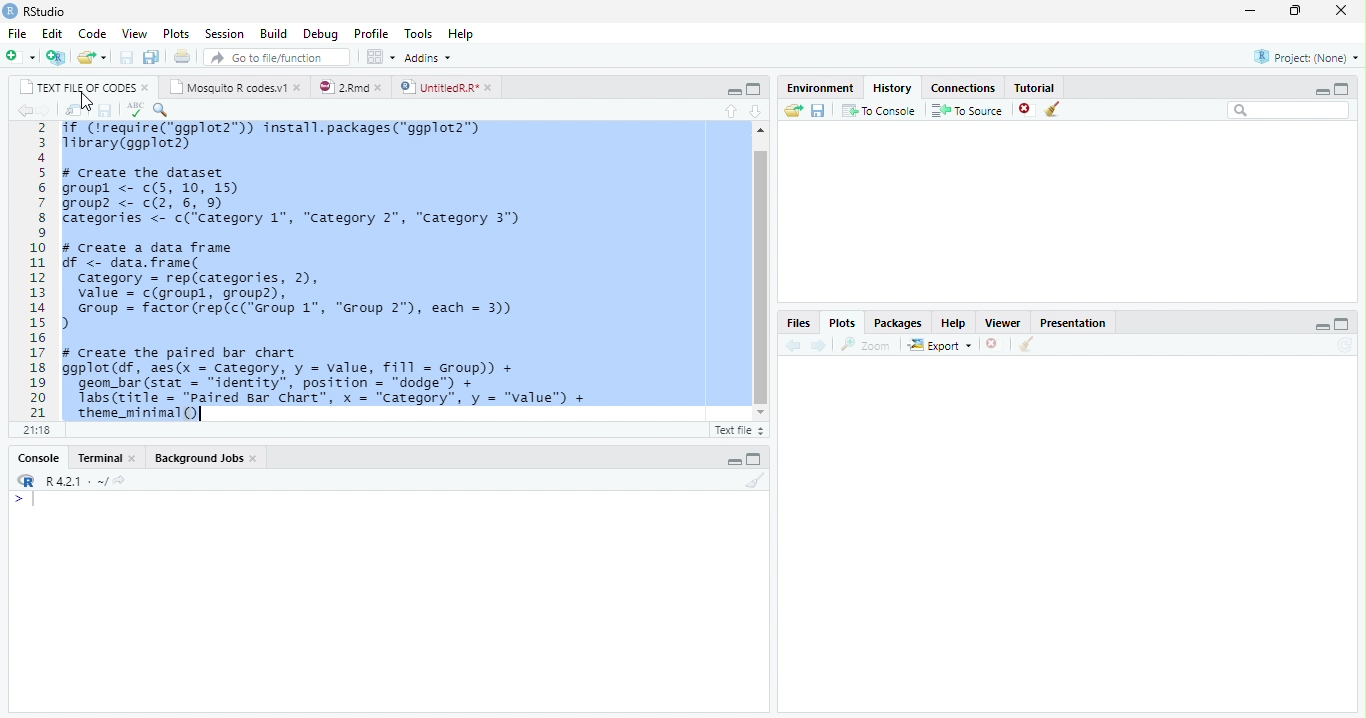  Describe the element at coordinates (1045, 88) in the screenshot. I see `tutorial` at that location.